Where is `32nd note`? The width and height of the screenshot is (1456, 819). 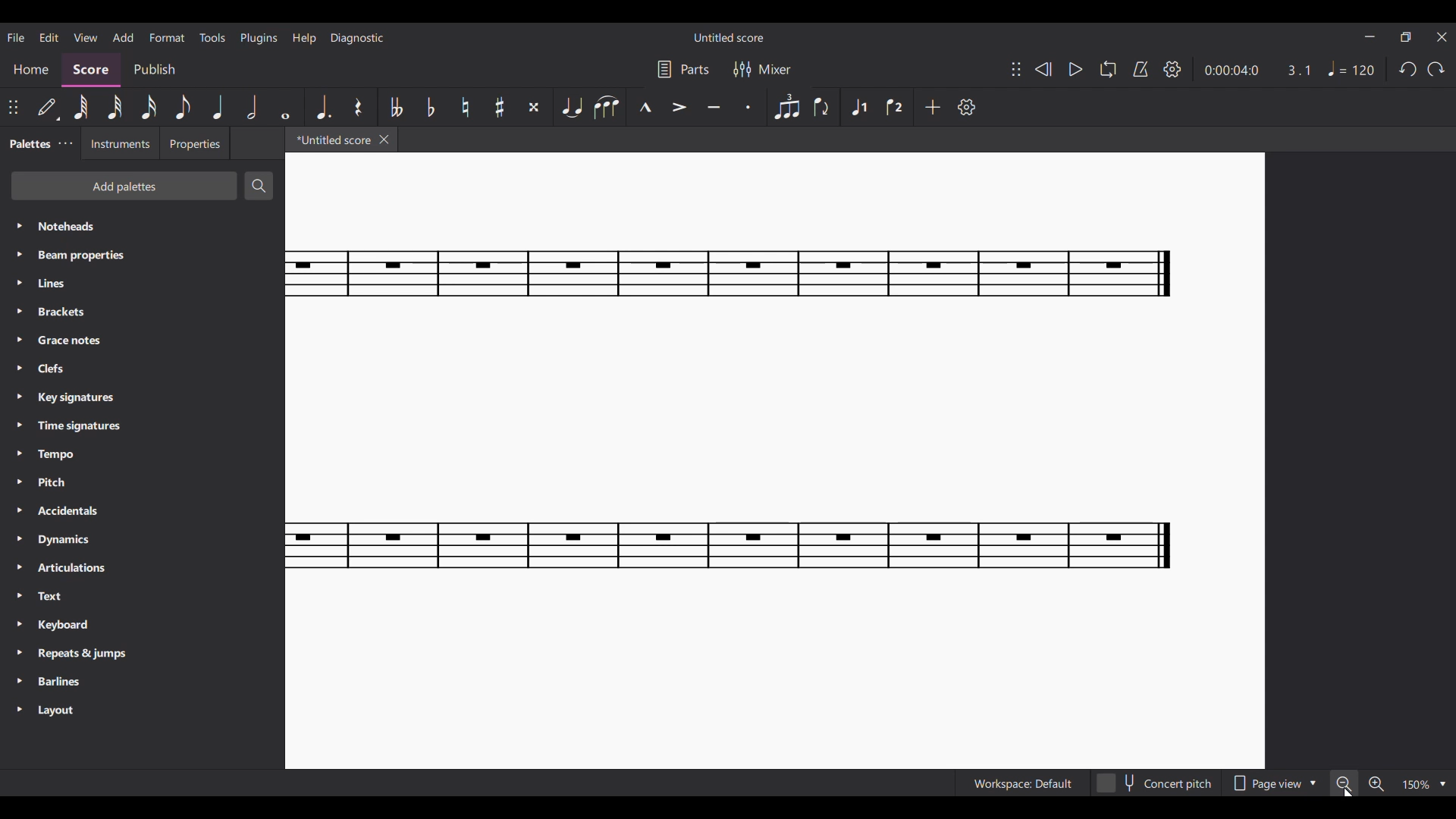 32nd note is located at coordinates (115, 108).